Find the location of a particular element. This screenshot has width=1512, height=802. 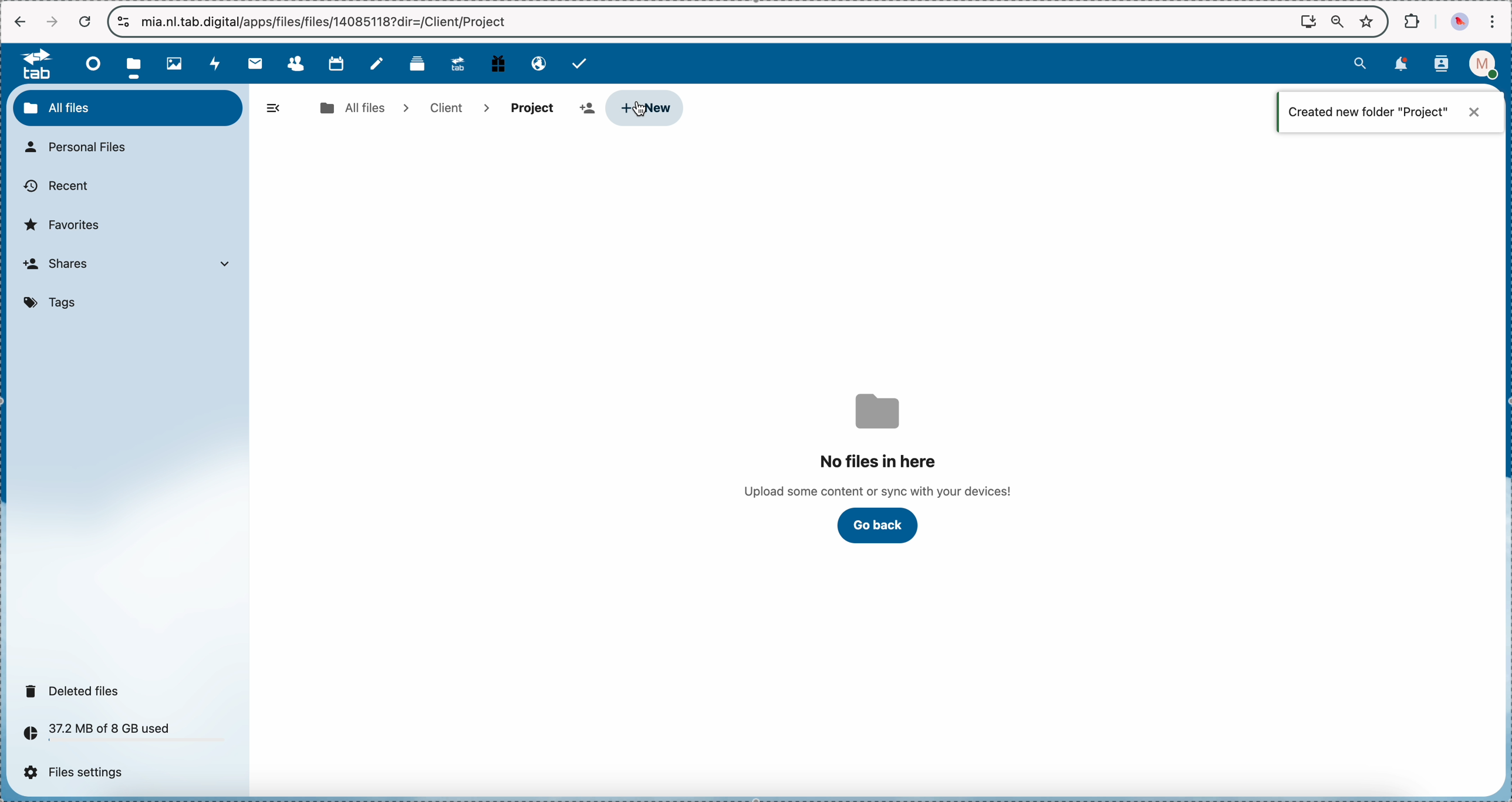

click on new button is located at coordinates (645, 108).